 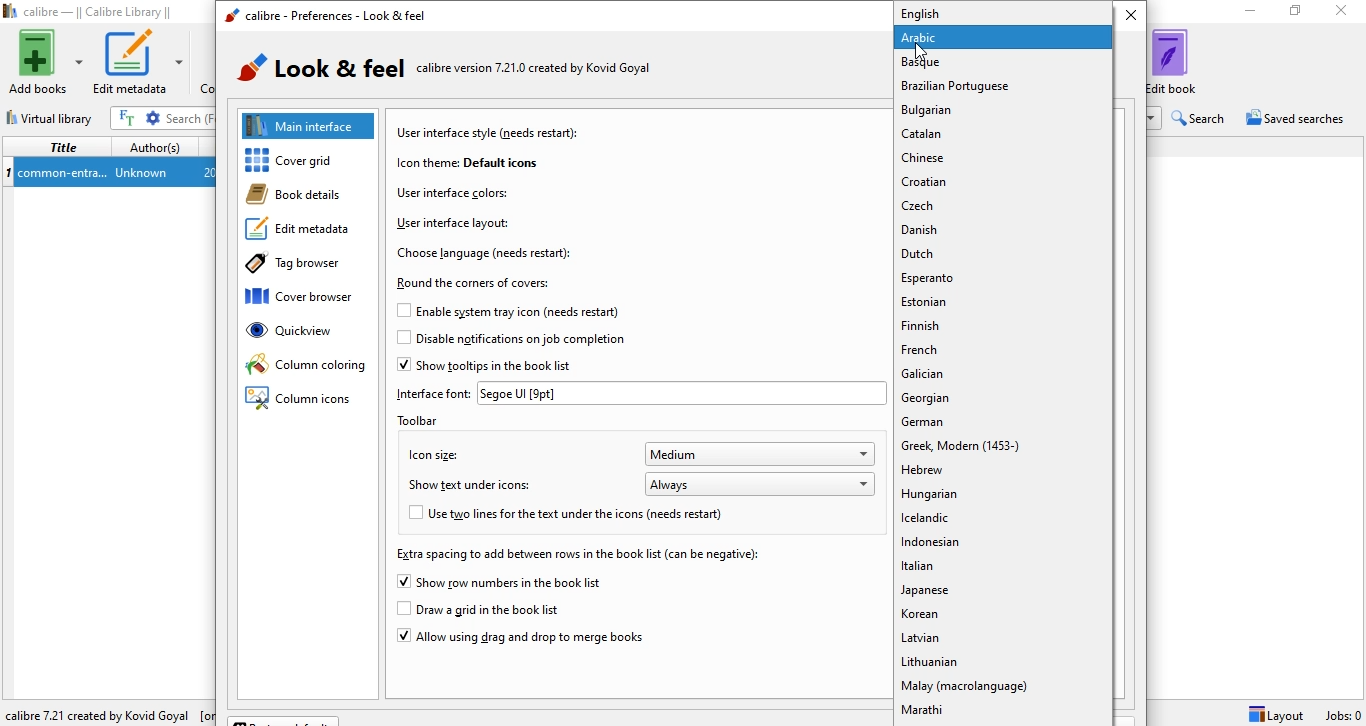 I want to click on basque, so click(x=1002, y=63).